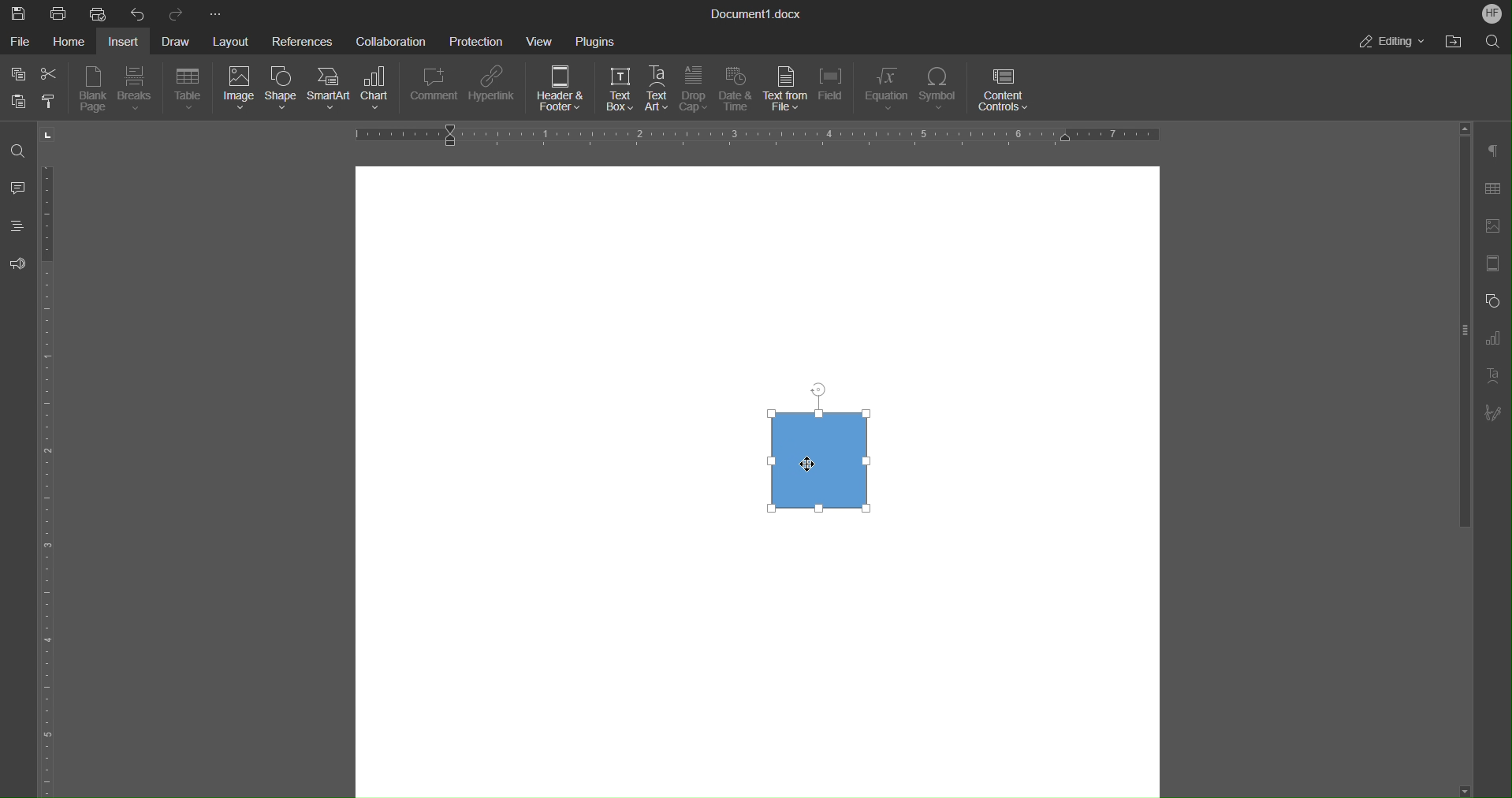 The width and height of the screenshot is (1512, 798). What do you see at coordinates (1465, 127) in the screenshot?
I see `Scroll up` at bounding box center [1465, 127].